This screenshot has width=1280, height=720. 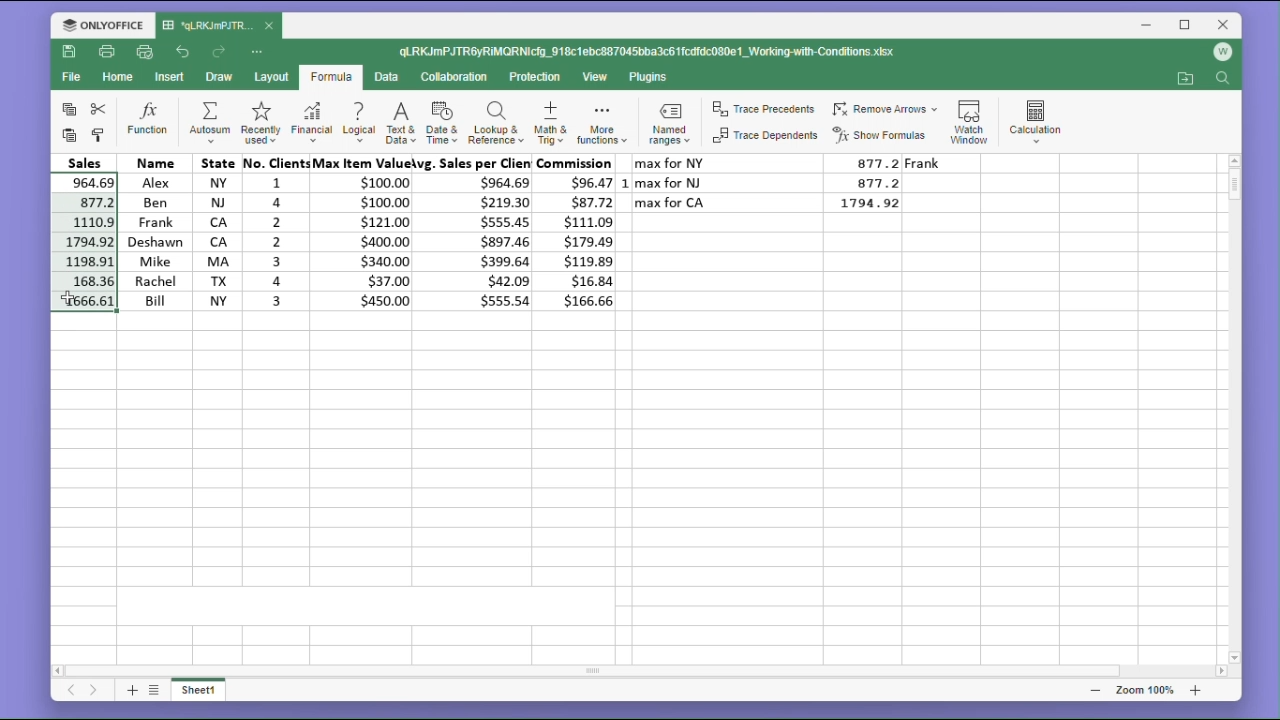 What do you see at coordinates (1149, 27) in the screenshot?
I see `minimize` at bounding box center [1149, 27].